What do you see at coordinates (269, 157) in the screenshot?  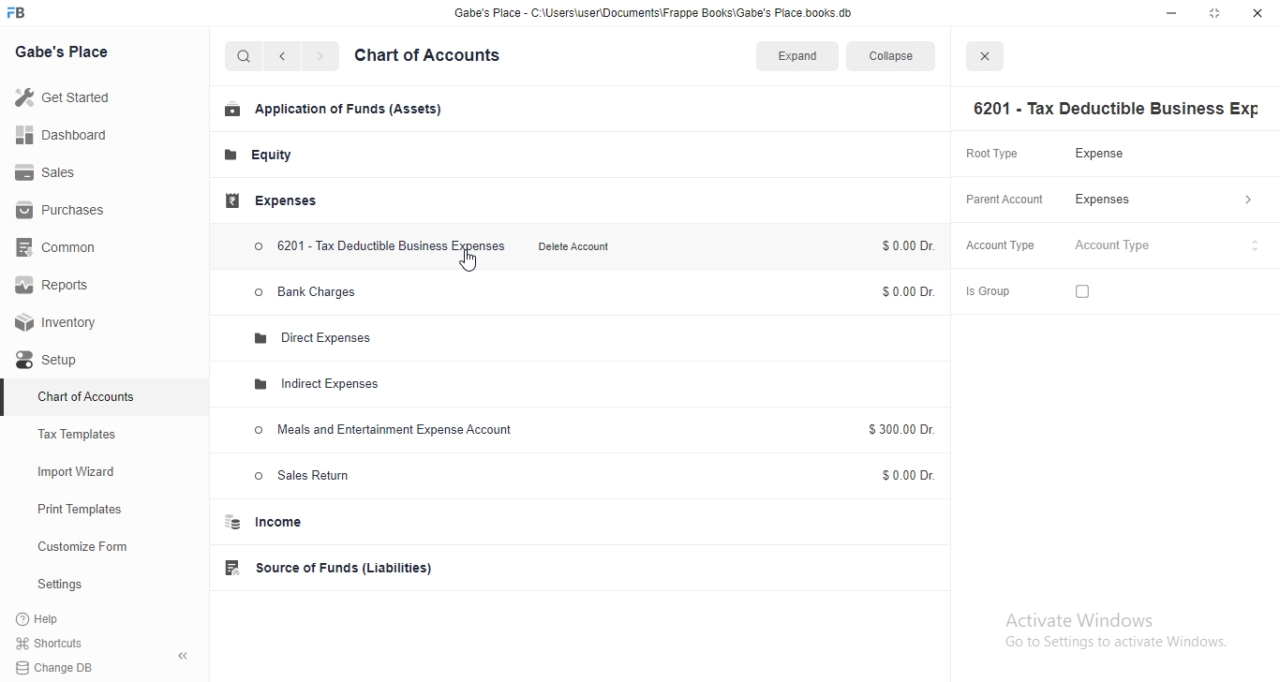 I see `Equity` at bounding box center [269, 157].